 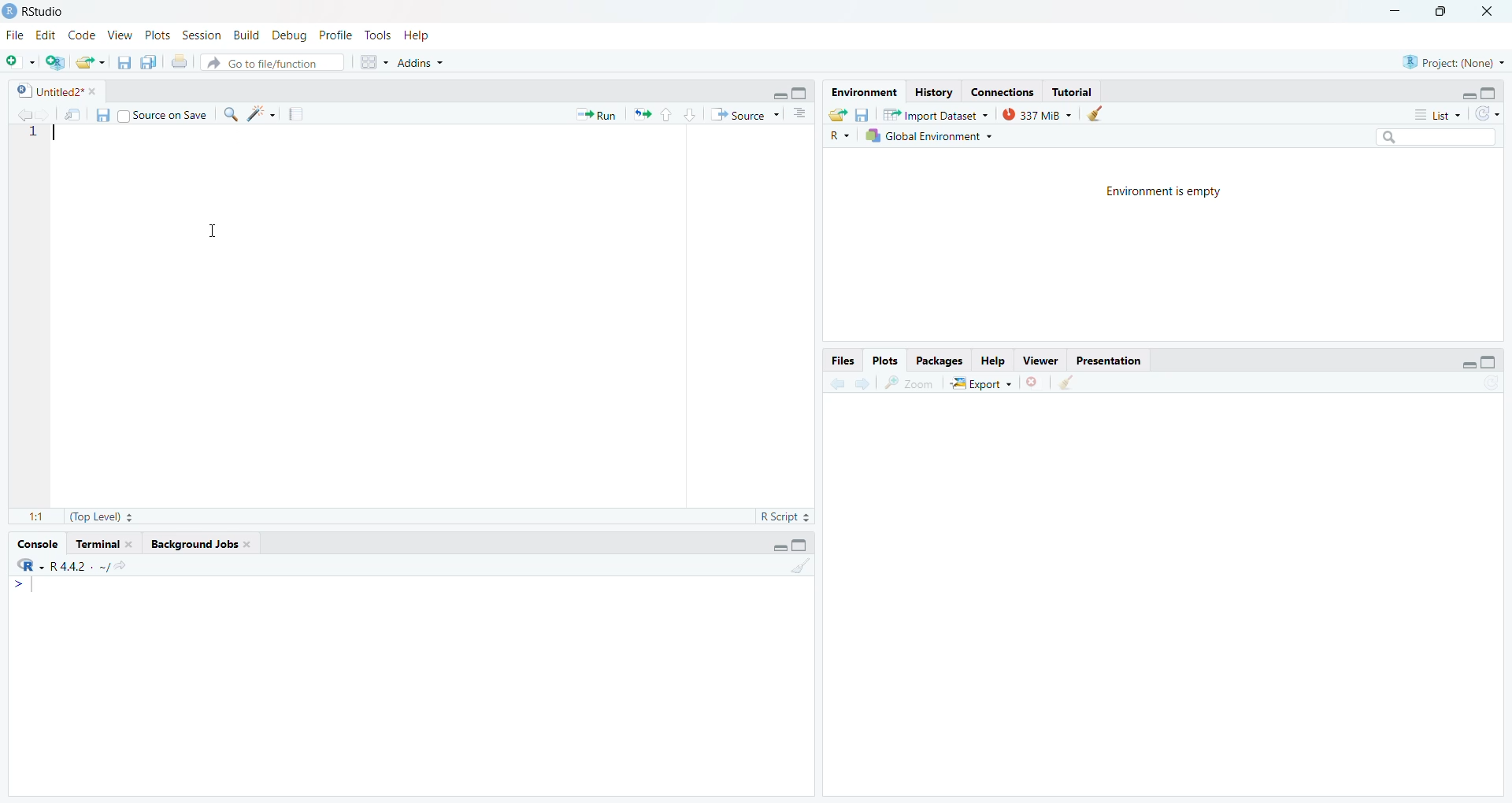 What do you see at coordinates (802, 91) in the screenshot?
I see `hide console` at bounding box center [802, 91].